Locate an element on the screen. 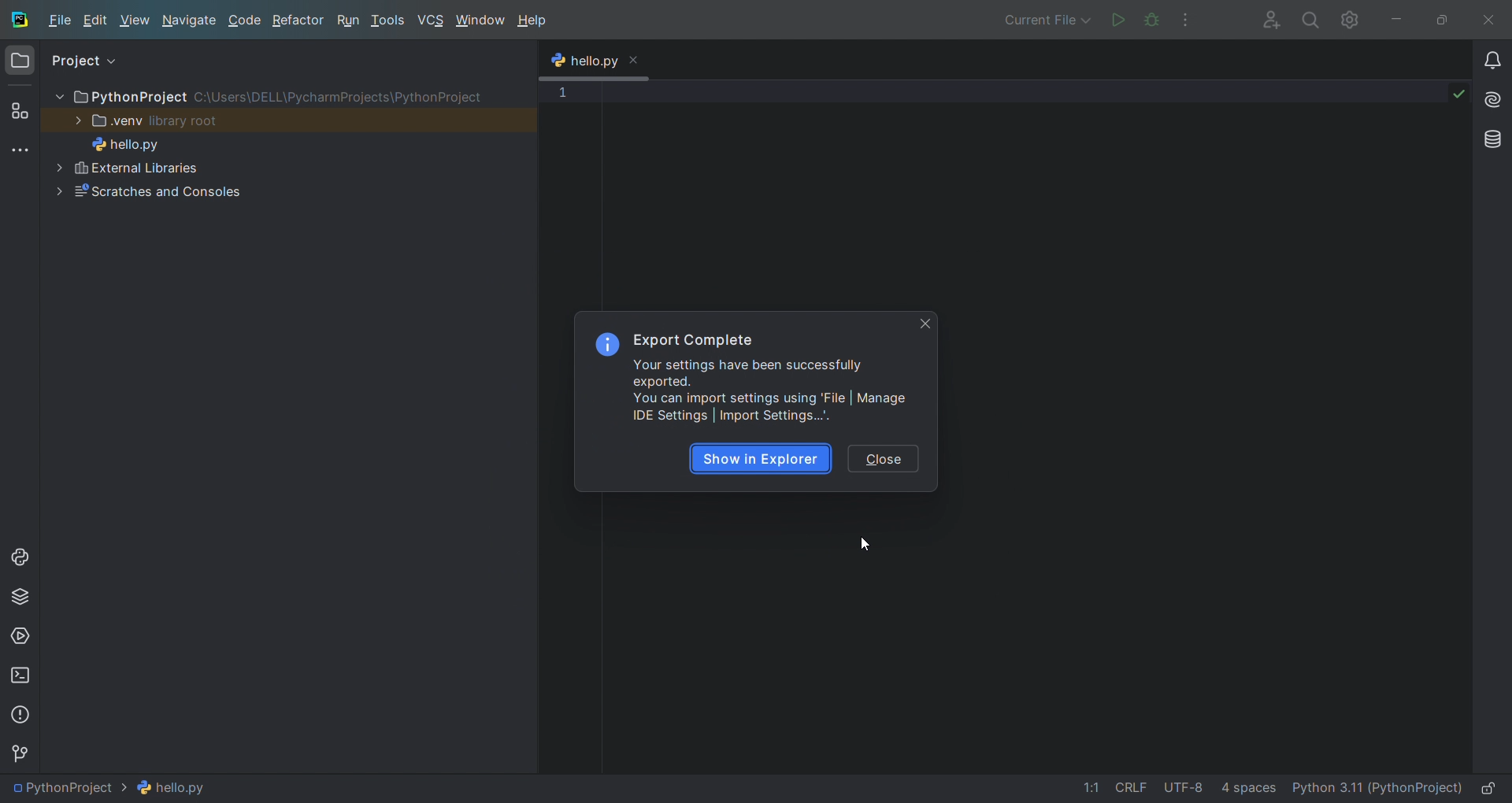  show in explorer is located at coordinates (759, 459).